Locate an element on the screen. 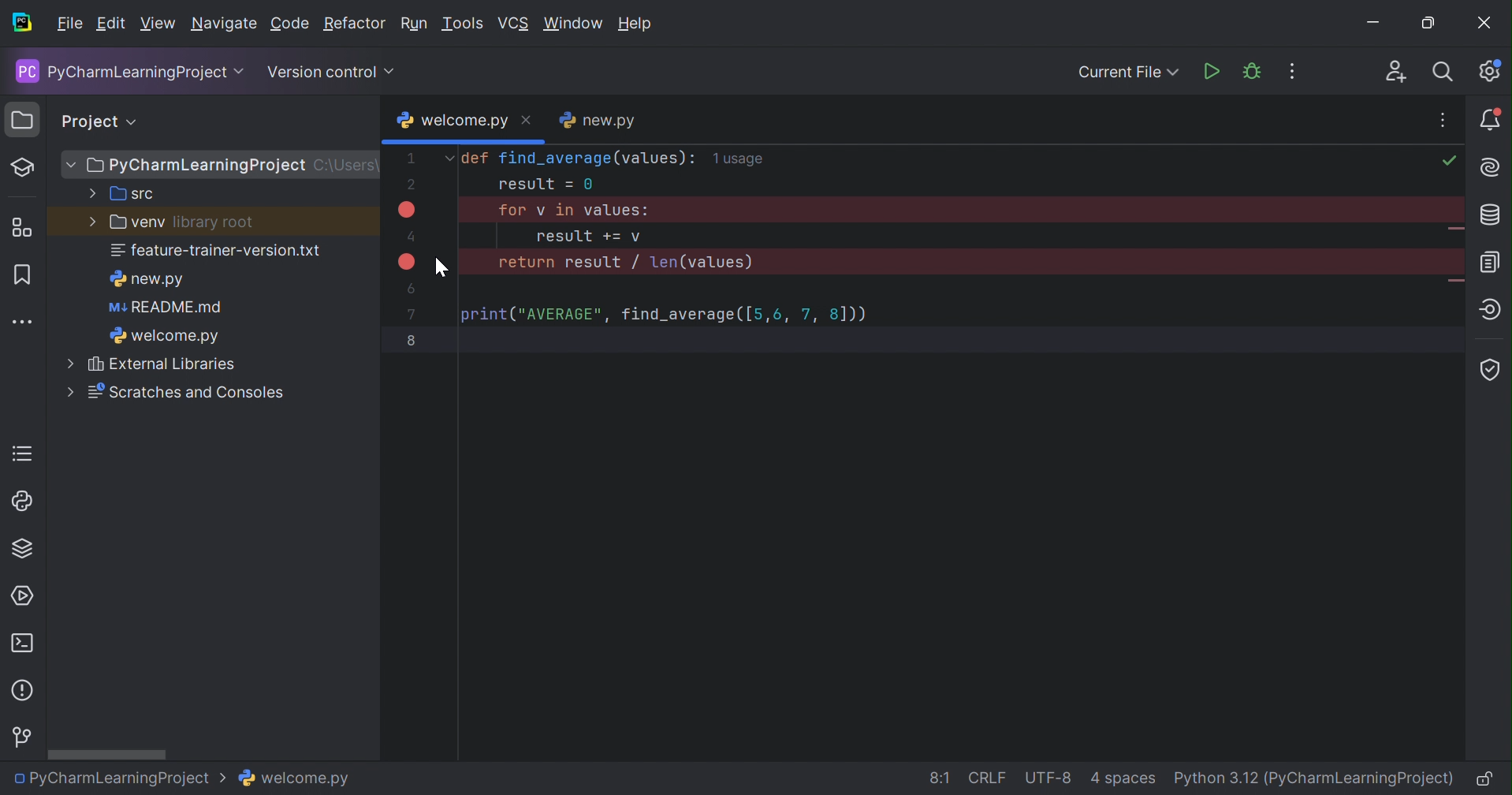 This screenshot has width=1512, height=795. result=0 is located at coordinates (545, 185).